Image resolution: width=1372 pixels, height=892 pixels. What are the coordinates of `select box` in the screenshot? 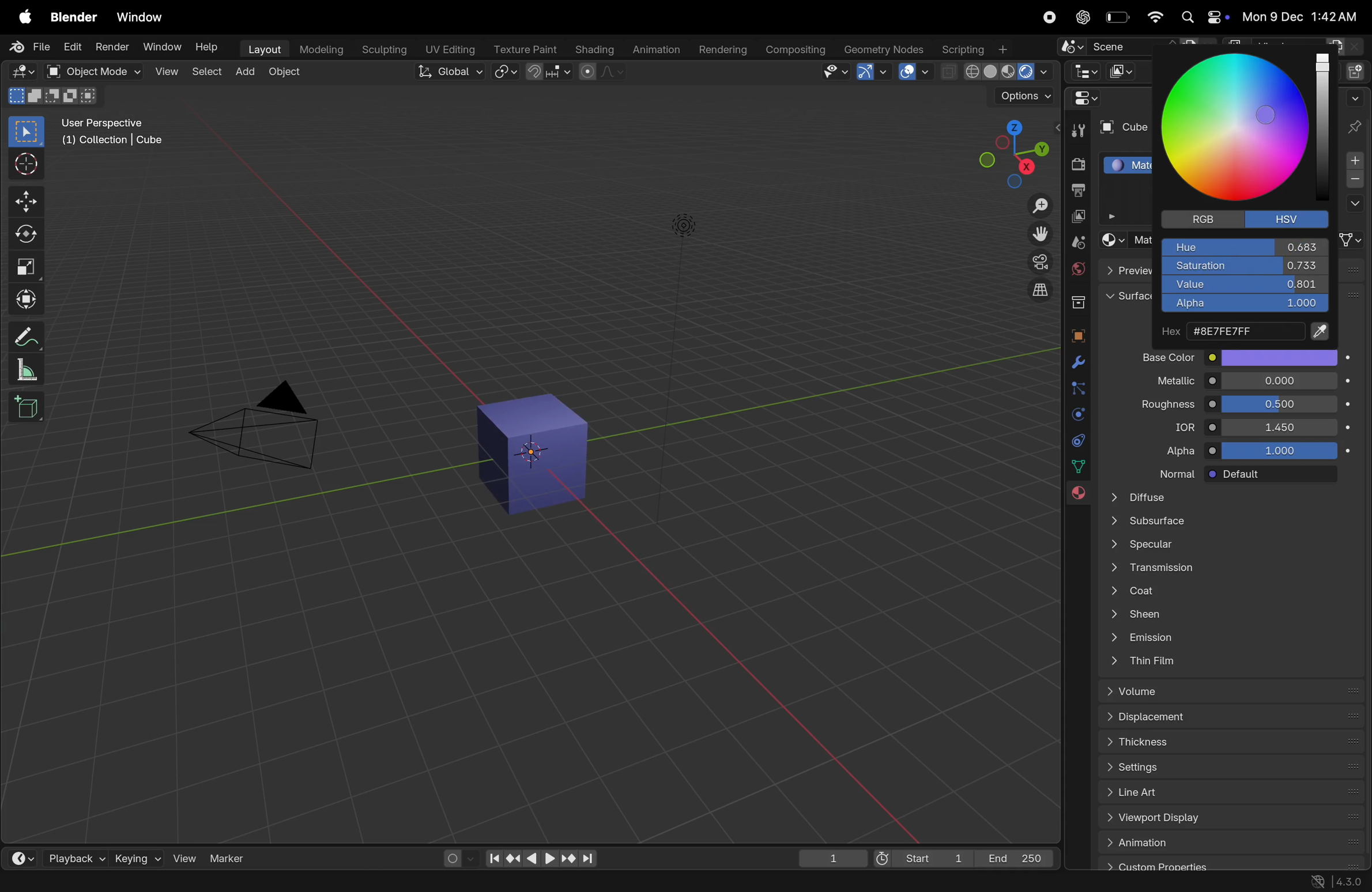 It's located at (26, 132).